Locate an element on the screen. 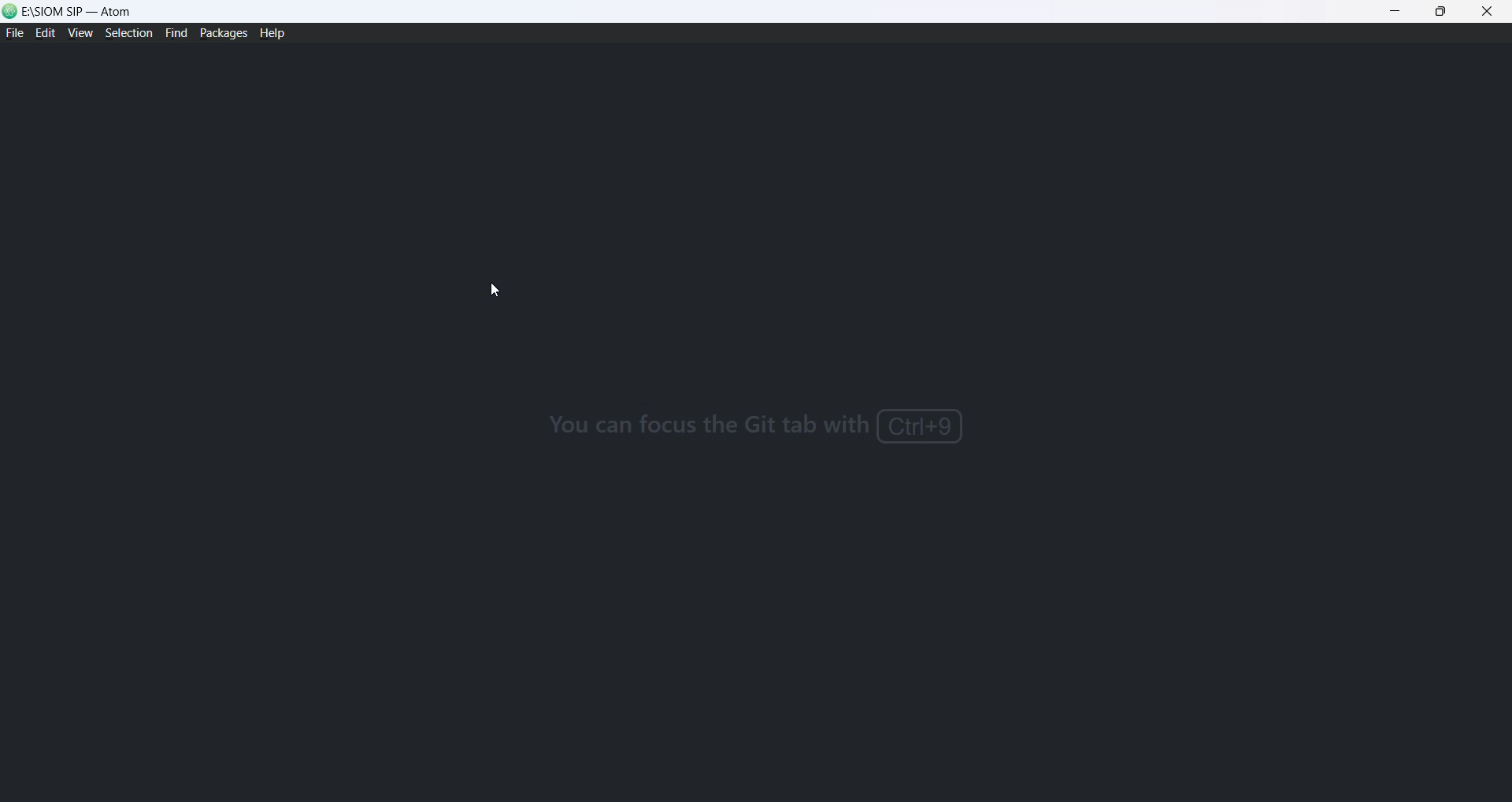 This screenshot has width=1512, height=802. maximize is located at coordinates (1441, 13).